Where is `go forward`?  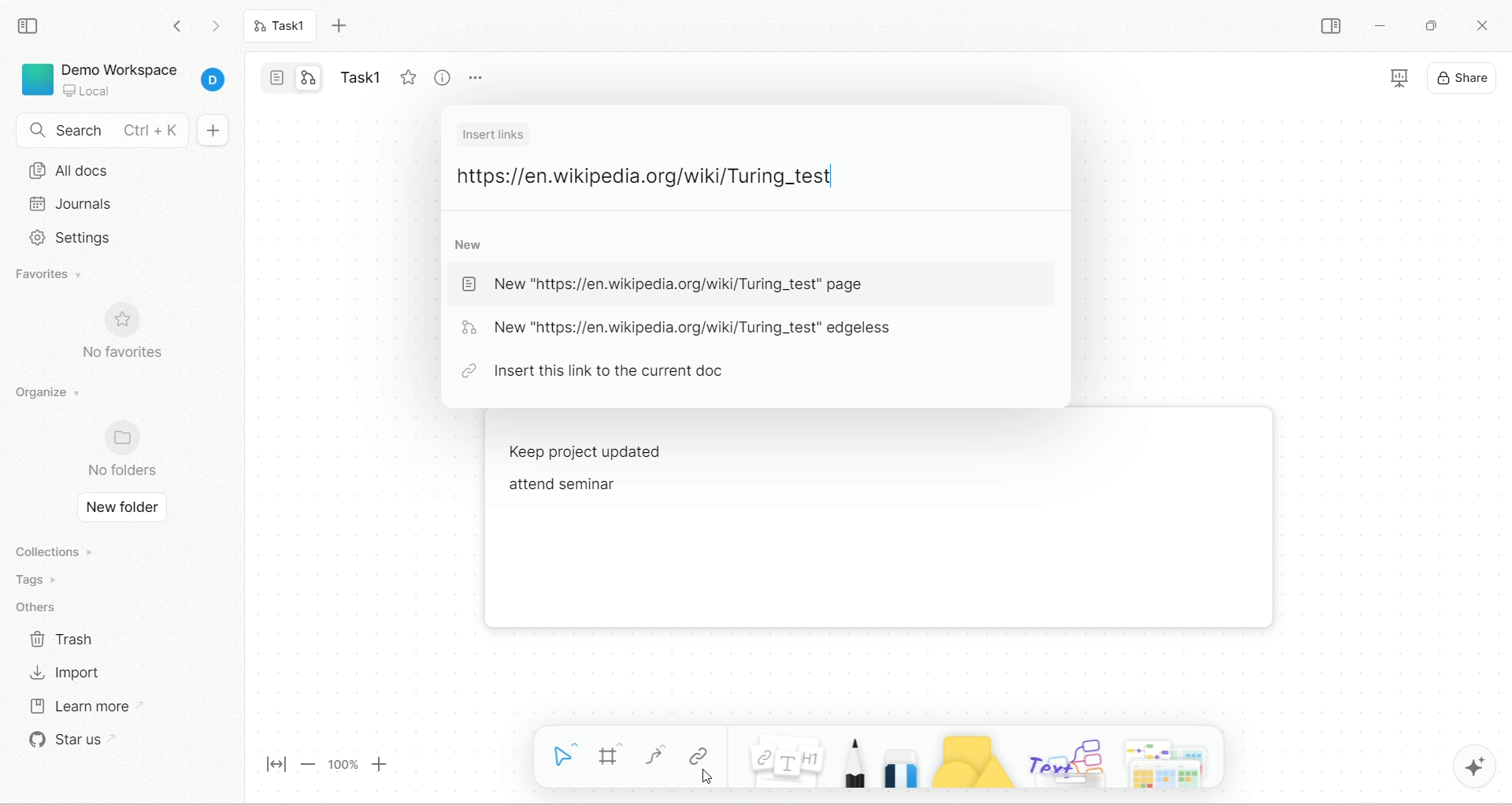 go forward is located at coordinates (214, 26).